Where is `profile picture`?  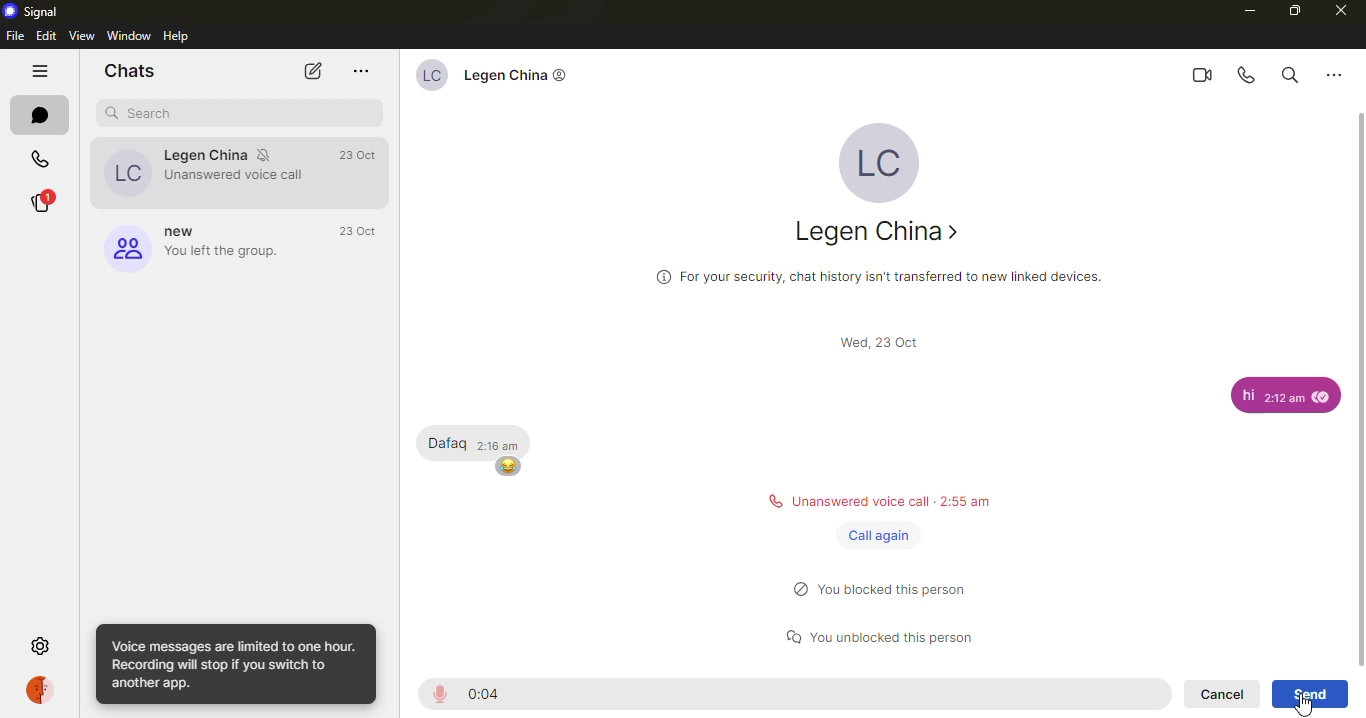 profile picture is located at coordinates (429, 72).